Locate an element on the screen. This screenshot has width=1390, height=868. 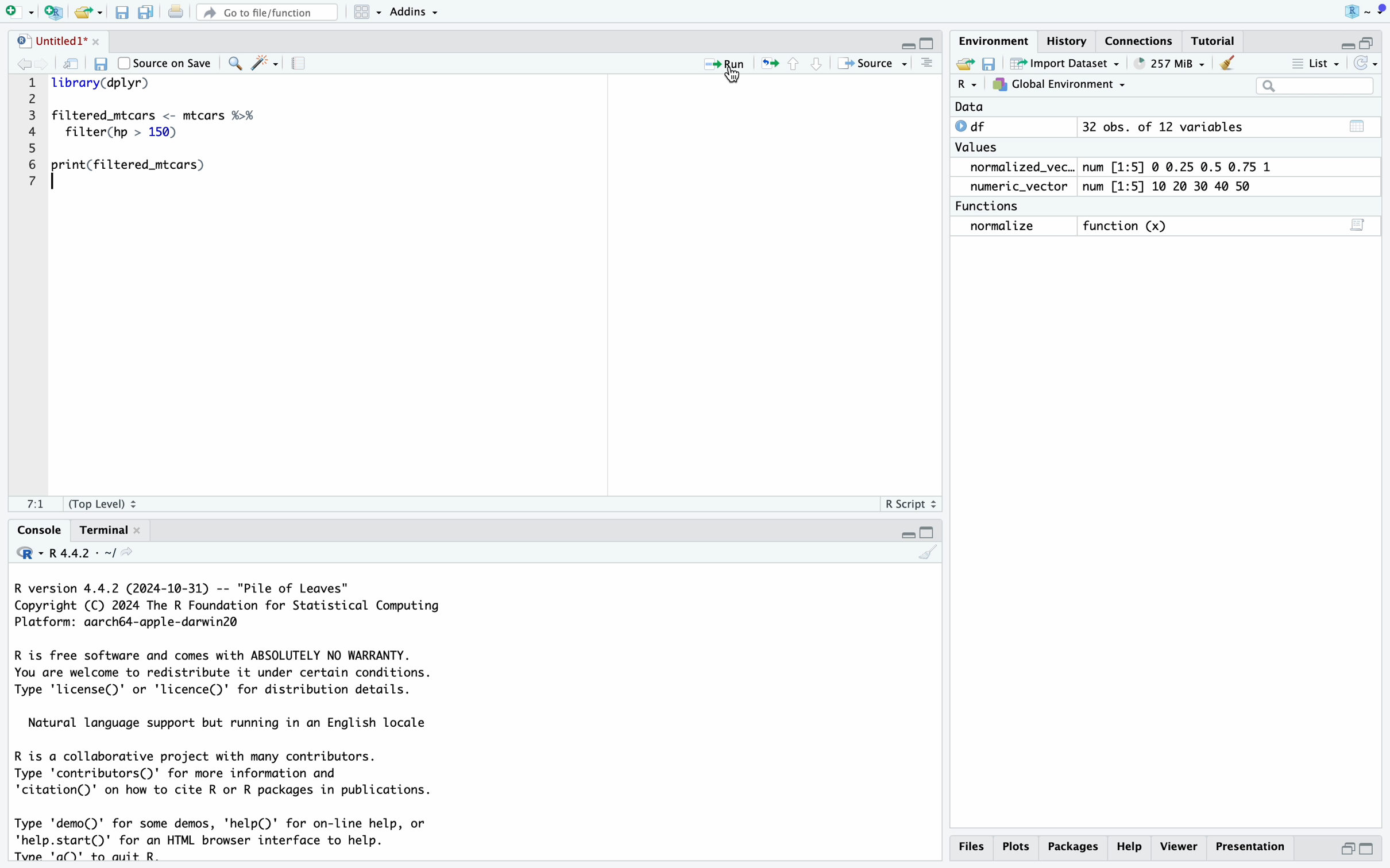
save all is located at coordinates (147, 14).